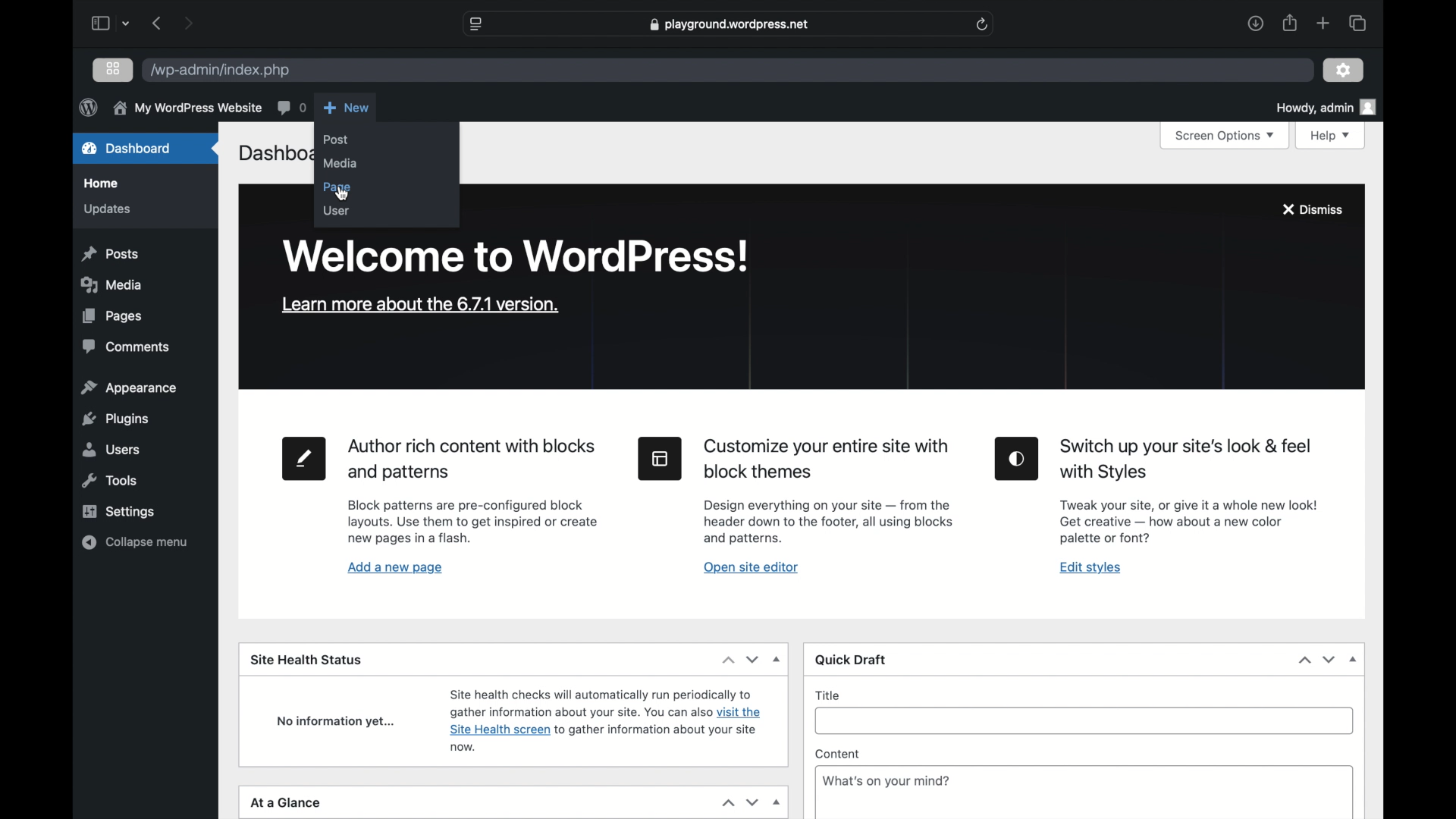 This screenshot has height=819, width=1456. Describe the element at coordinates (1357, 23) in the screenshot. I see `show tab overview` at that location.